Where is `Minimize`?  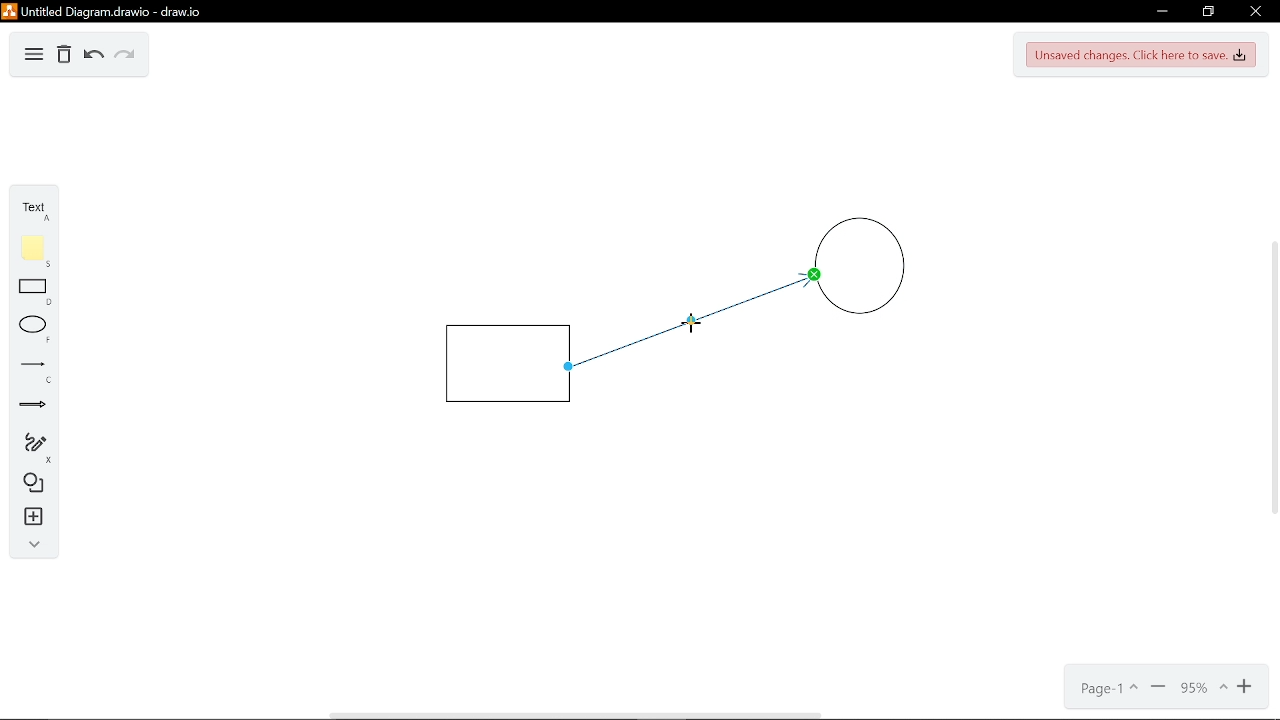
Minimize is located at coordinates (1159, 689).